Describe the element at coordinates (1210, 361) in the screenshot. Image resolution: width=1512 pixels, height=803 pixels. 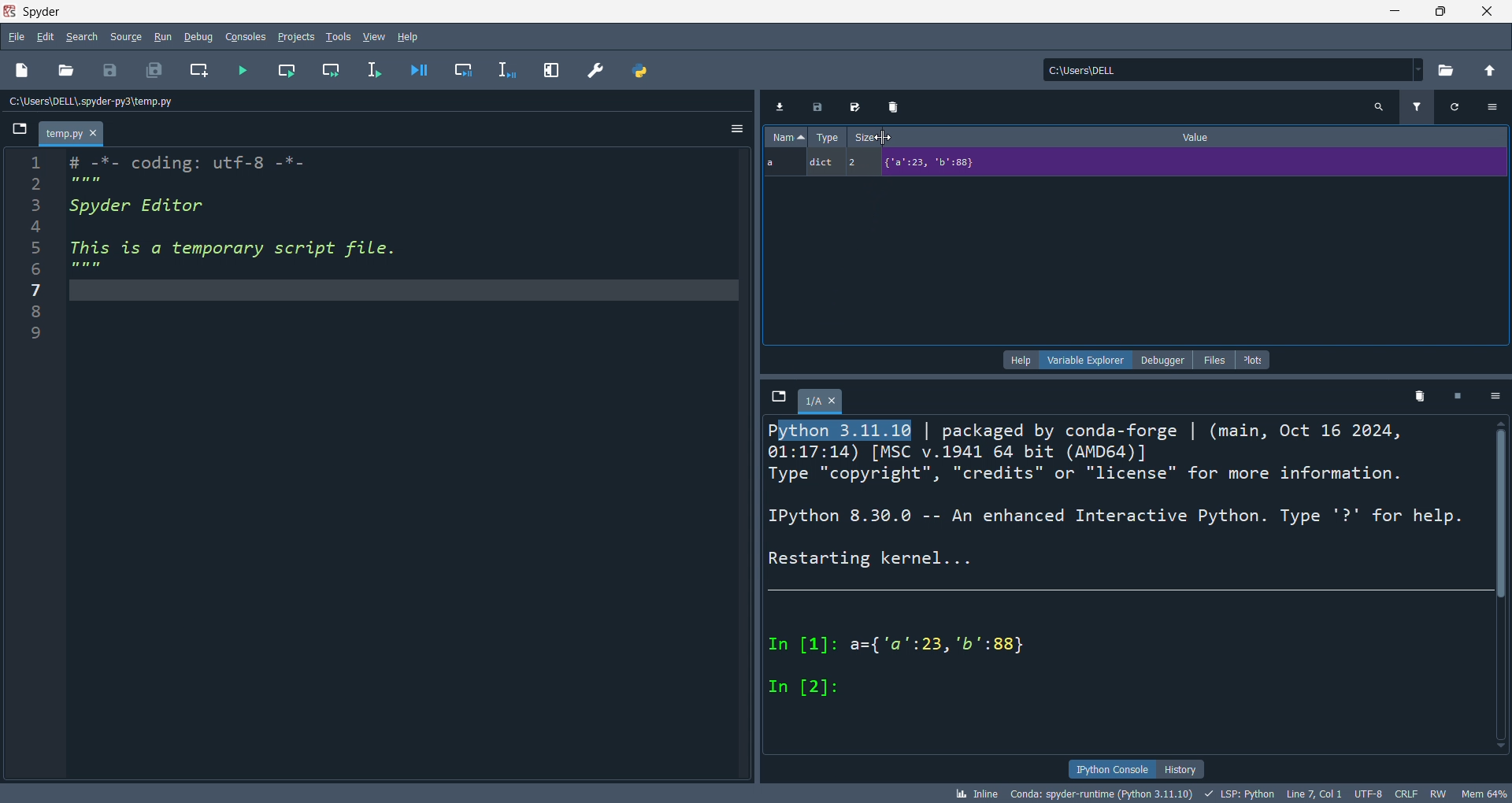
I see `files` at that location.